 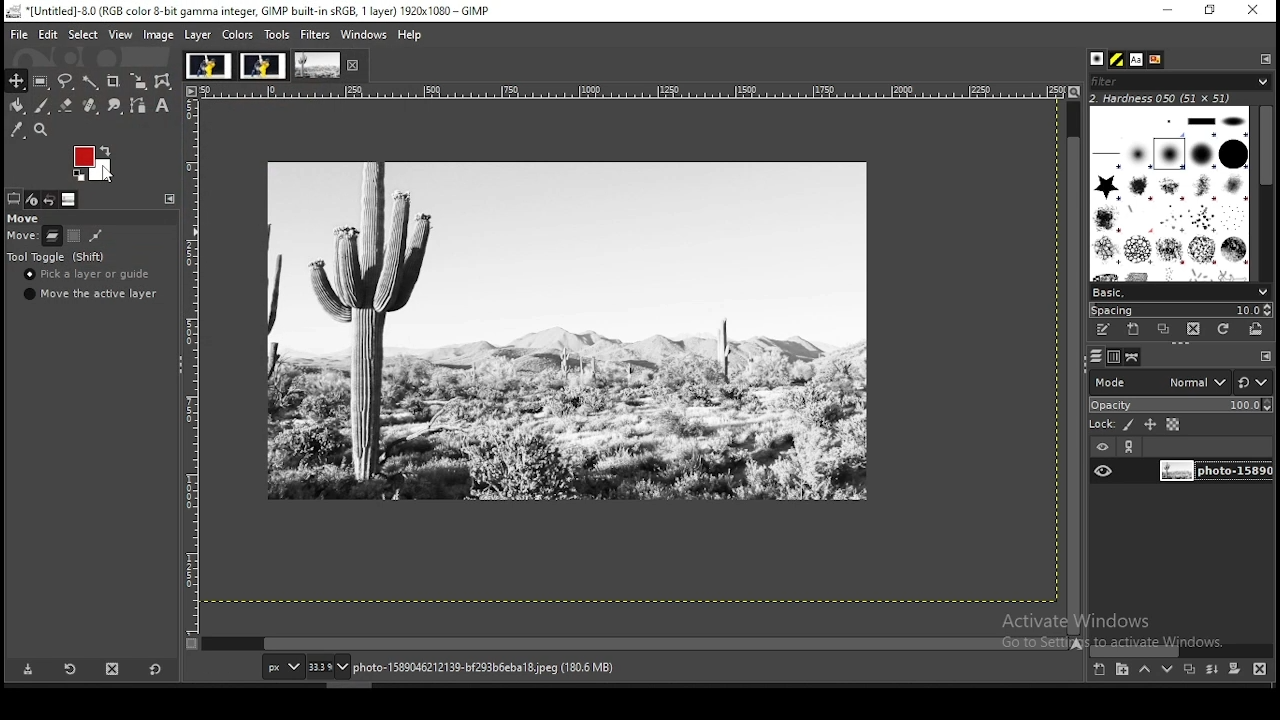 What do you see at coordinates (1121, 670) in the screenshot?
I see `new layer group` at bounding box center [1121, 670].